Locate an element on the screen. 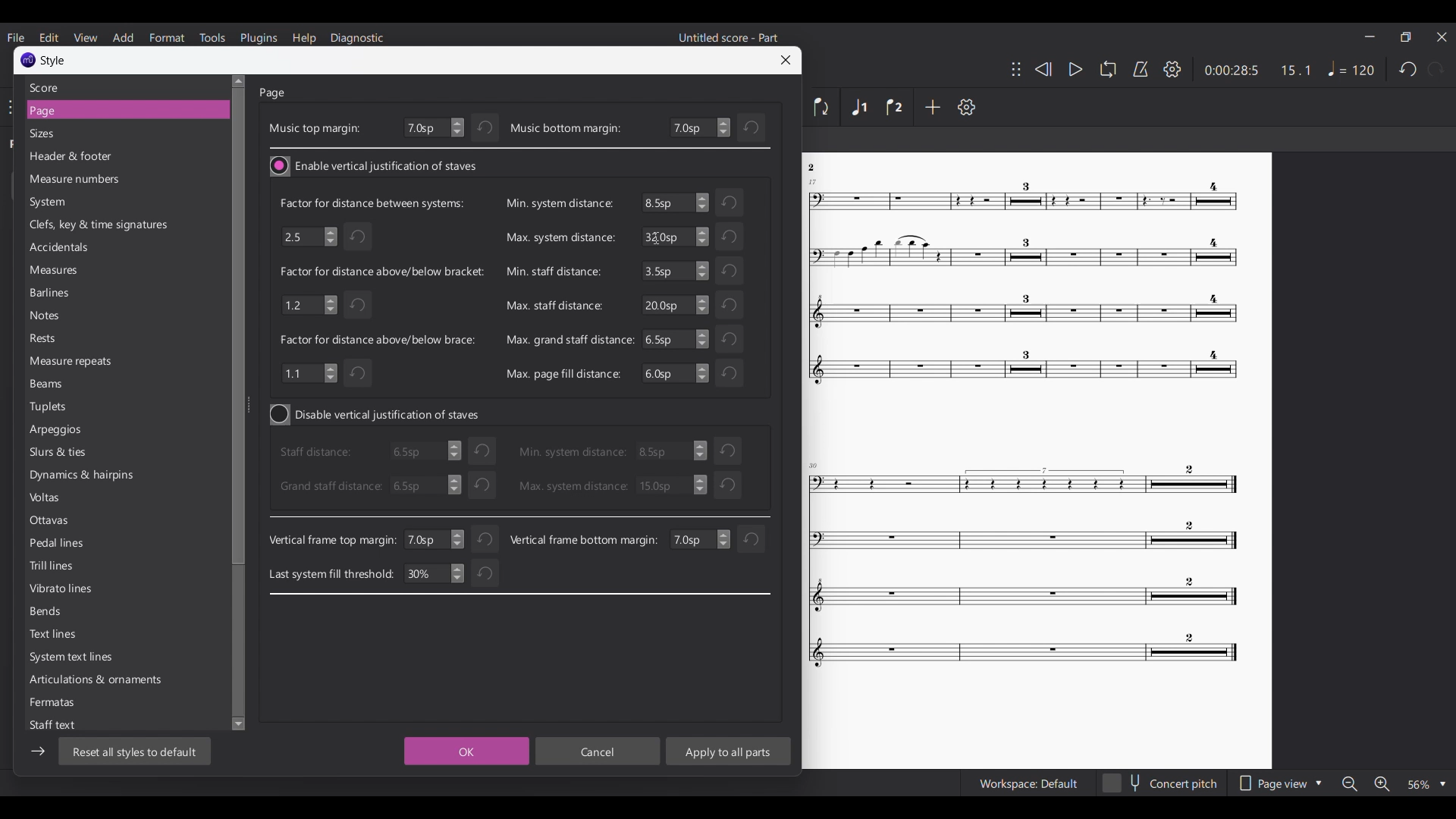 This screenshot has width=1456, height=819. Tempo is located at coordinates (1351, 68).